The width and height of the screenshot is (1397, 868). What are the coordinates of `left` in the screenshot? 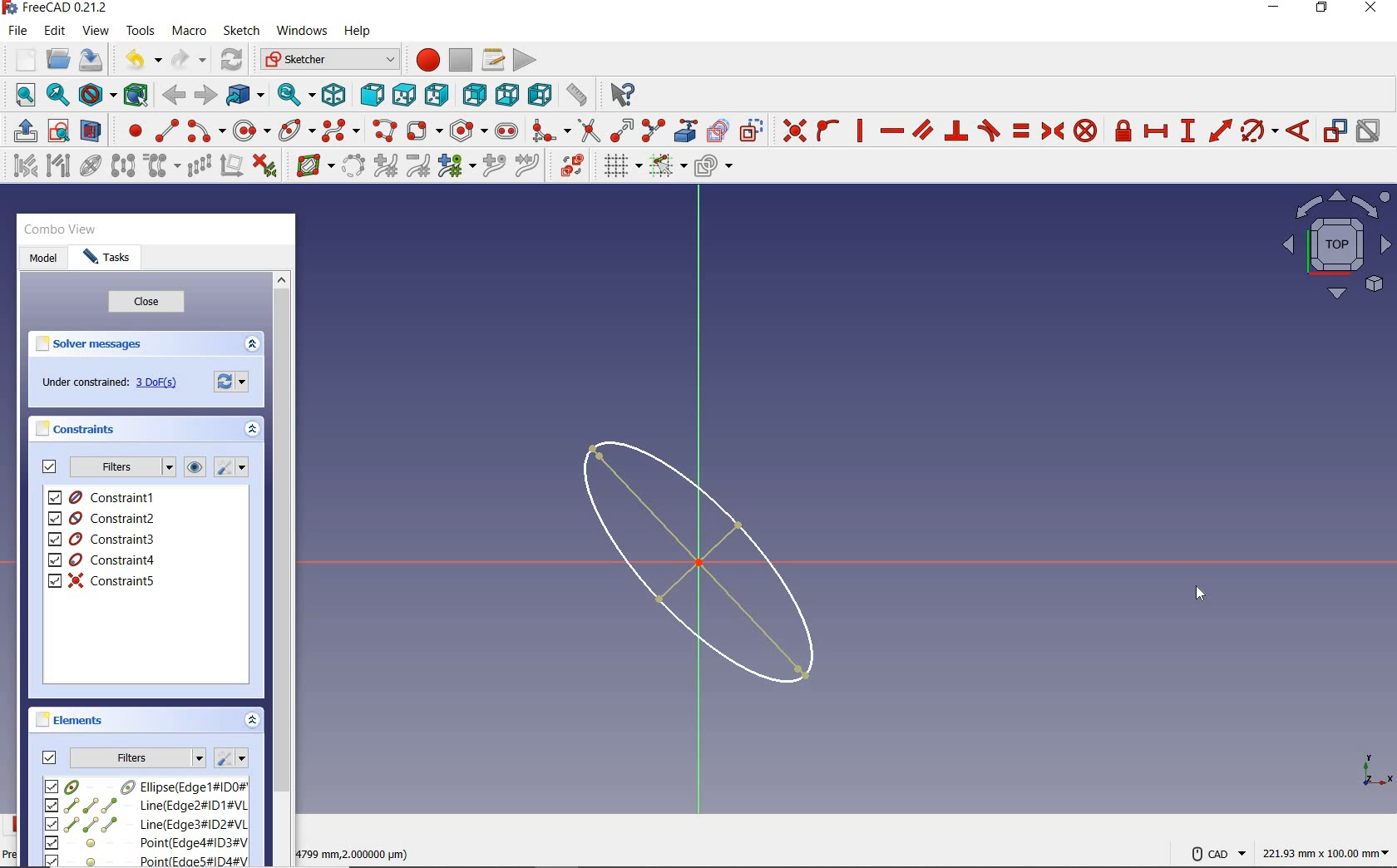 It's located at (541, 94).